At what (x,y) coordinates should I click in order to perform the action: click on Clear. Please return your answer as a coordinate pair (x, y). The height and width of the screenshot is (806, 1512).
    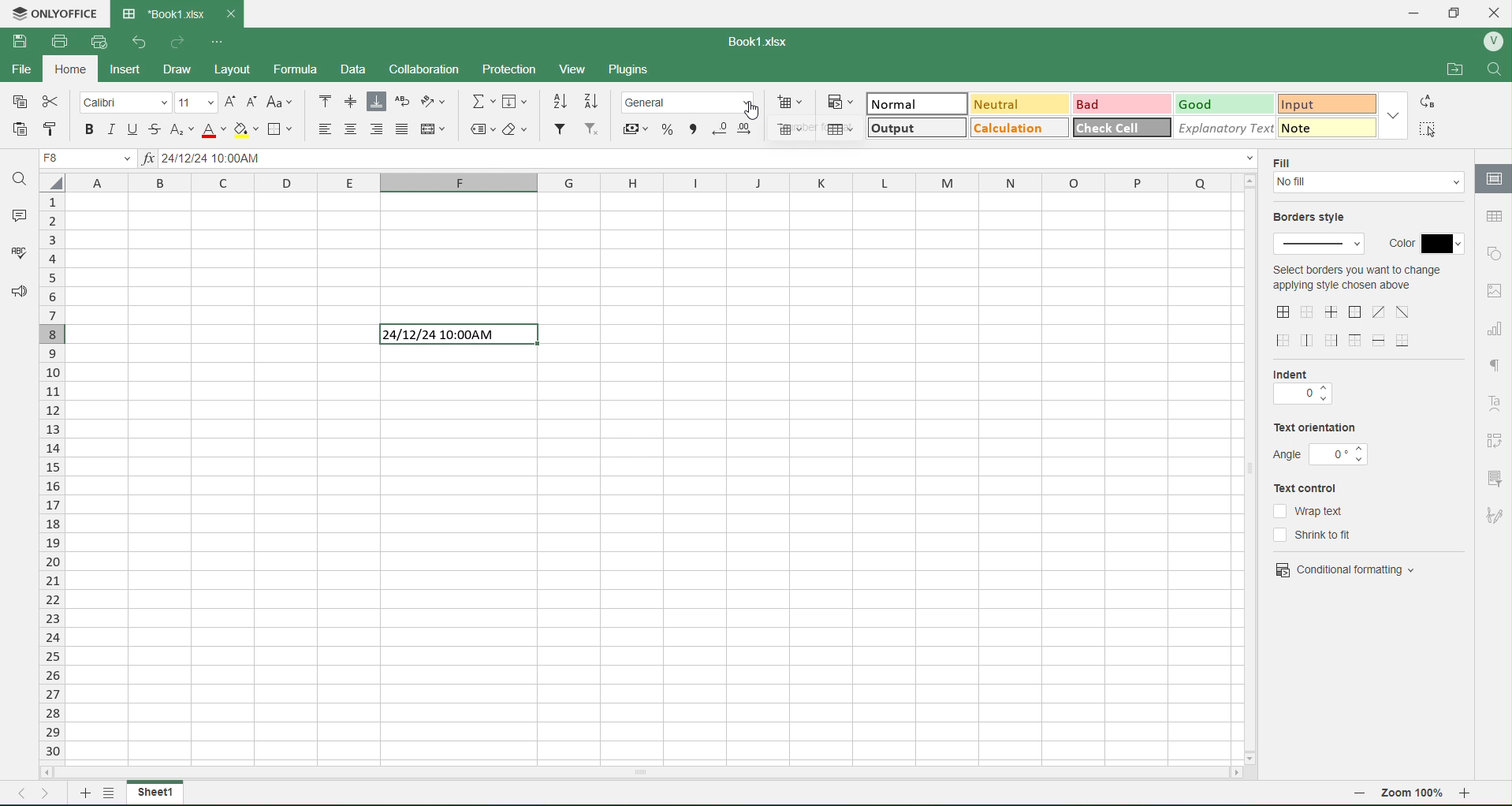
    Looking at the image, I should click on (519, 129).